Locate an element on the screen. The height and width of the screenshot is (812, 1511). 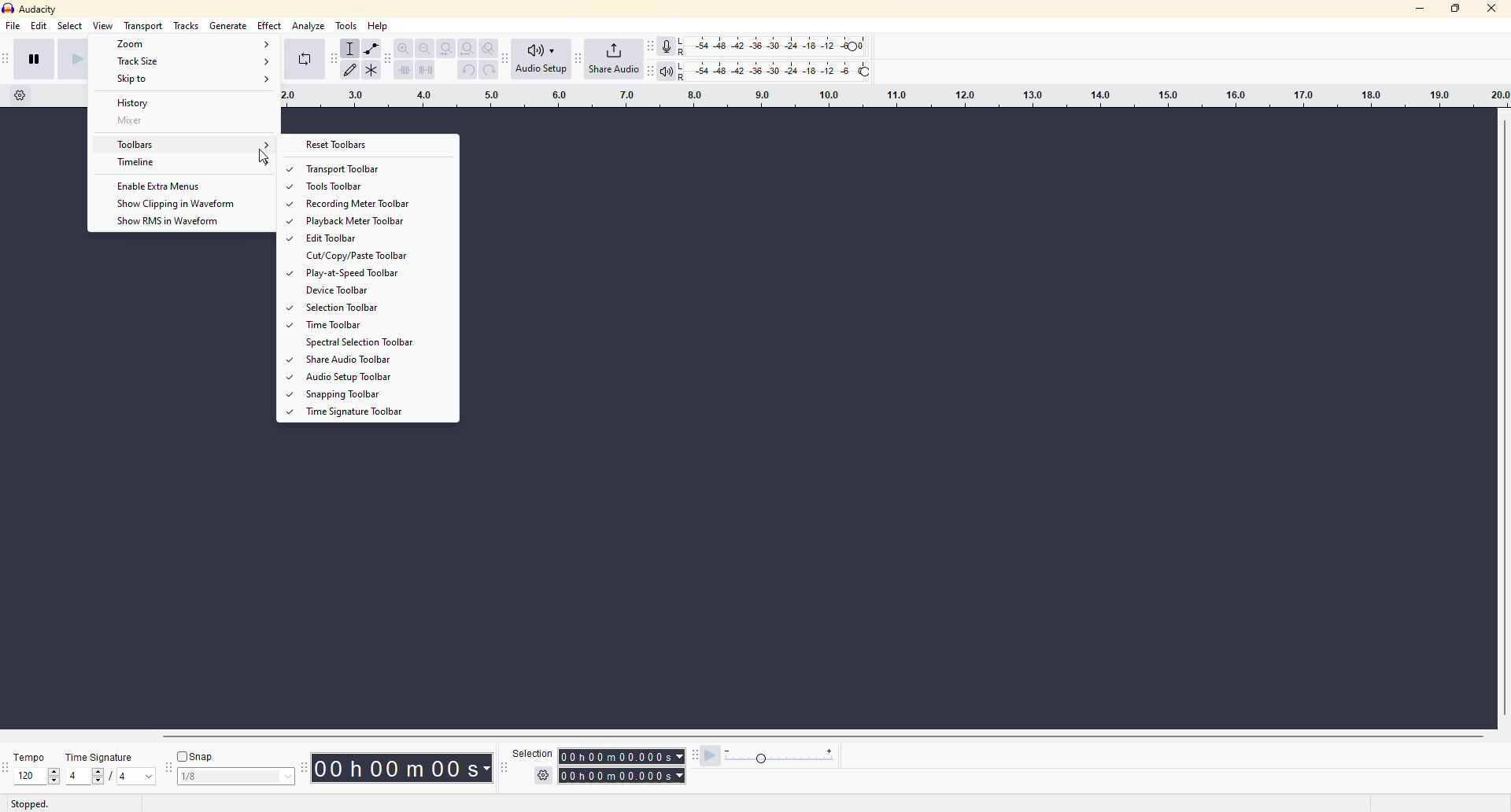
audacity tools toolbar is located at coordinates (333, 58).